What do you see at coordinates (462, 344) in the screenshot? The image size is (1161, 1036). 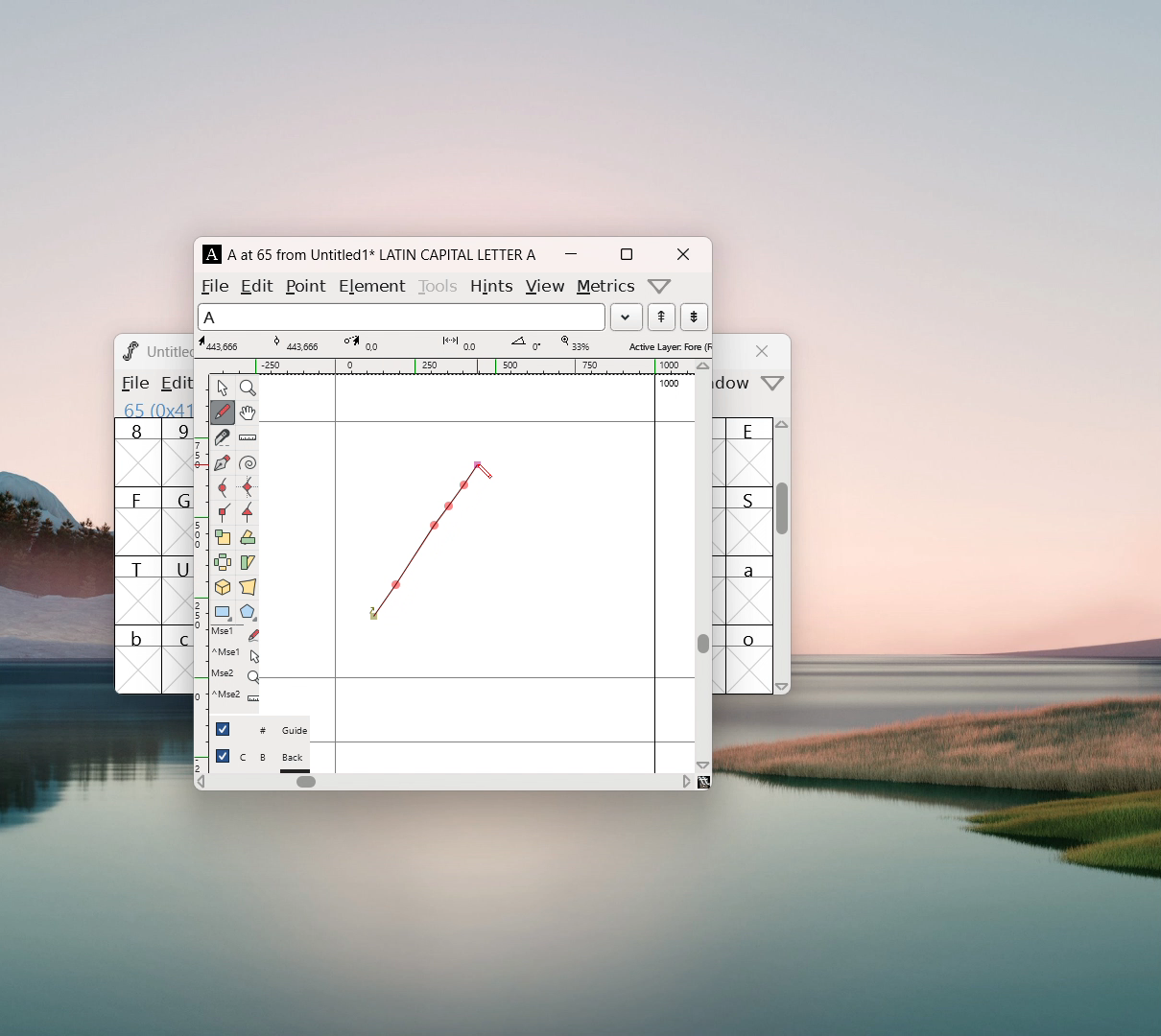 I see `distance from starting point` at bounding box center [462, 344].